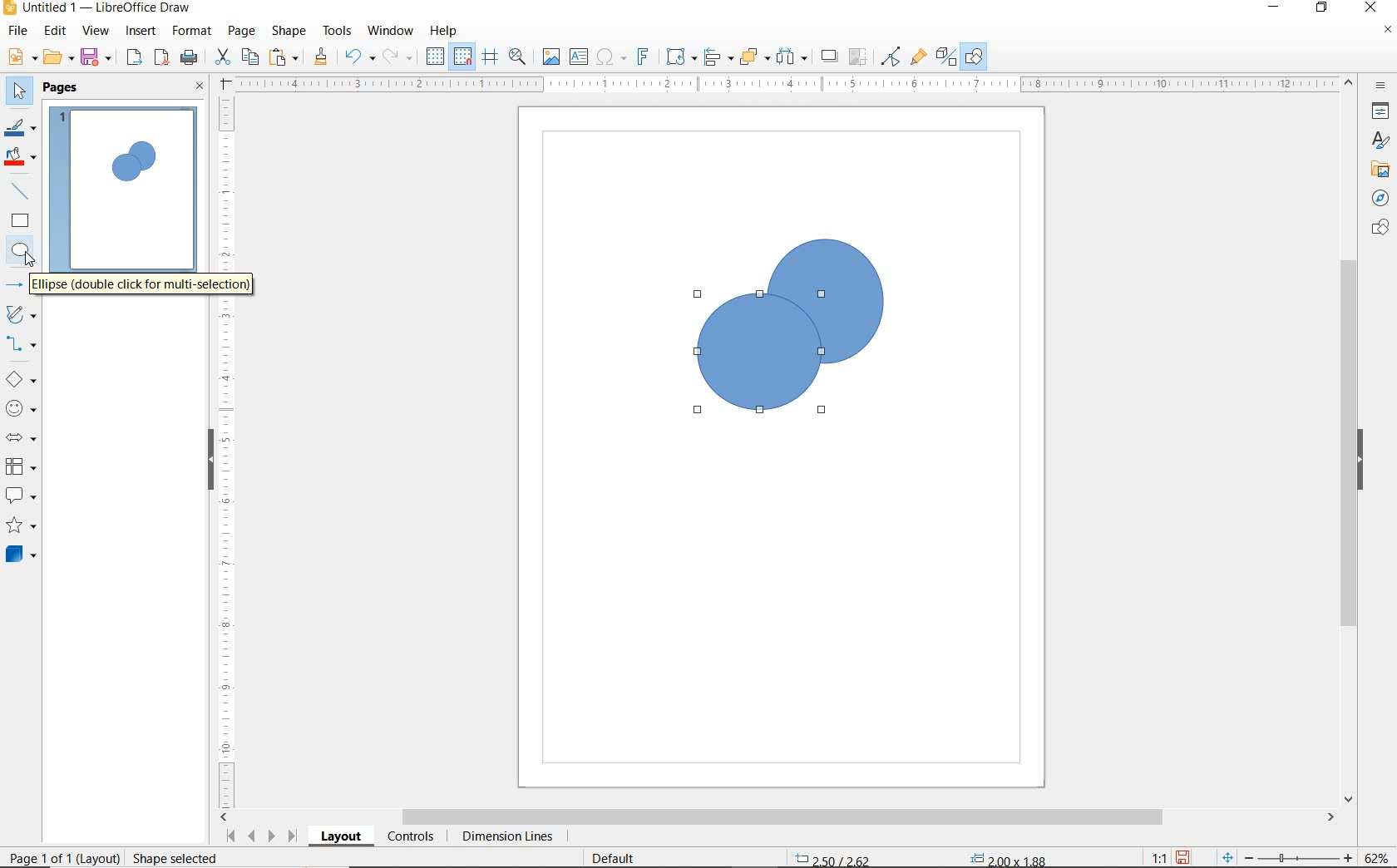 Image resolution: width=1397 pixels, height=868 pixels. What do you see at coordinates (20, 316) in the screenshot?
I see `CURVES AND POLYGONS` at bounding box center [20, 316].